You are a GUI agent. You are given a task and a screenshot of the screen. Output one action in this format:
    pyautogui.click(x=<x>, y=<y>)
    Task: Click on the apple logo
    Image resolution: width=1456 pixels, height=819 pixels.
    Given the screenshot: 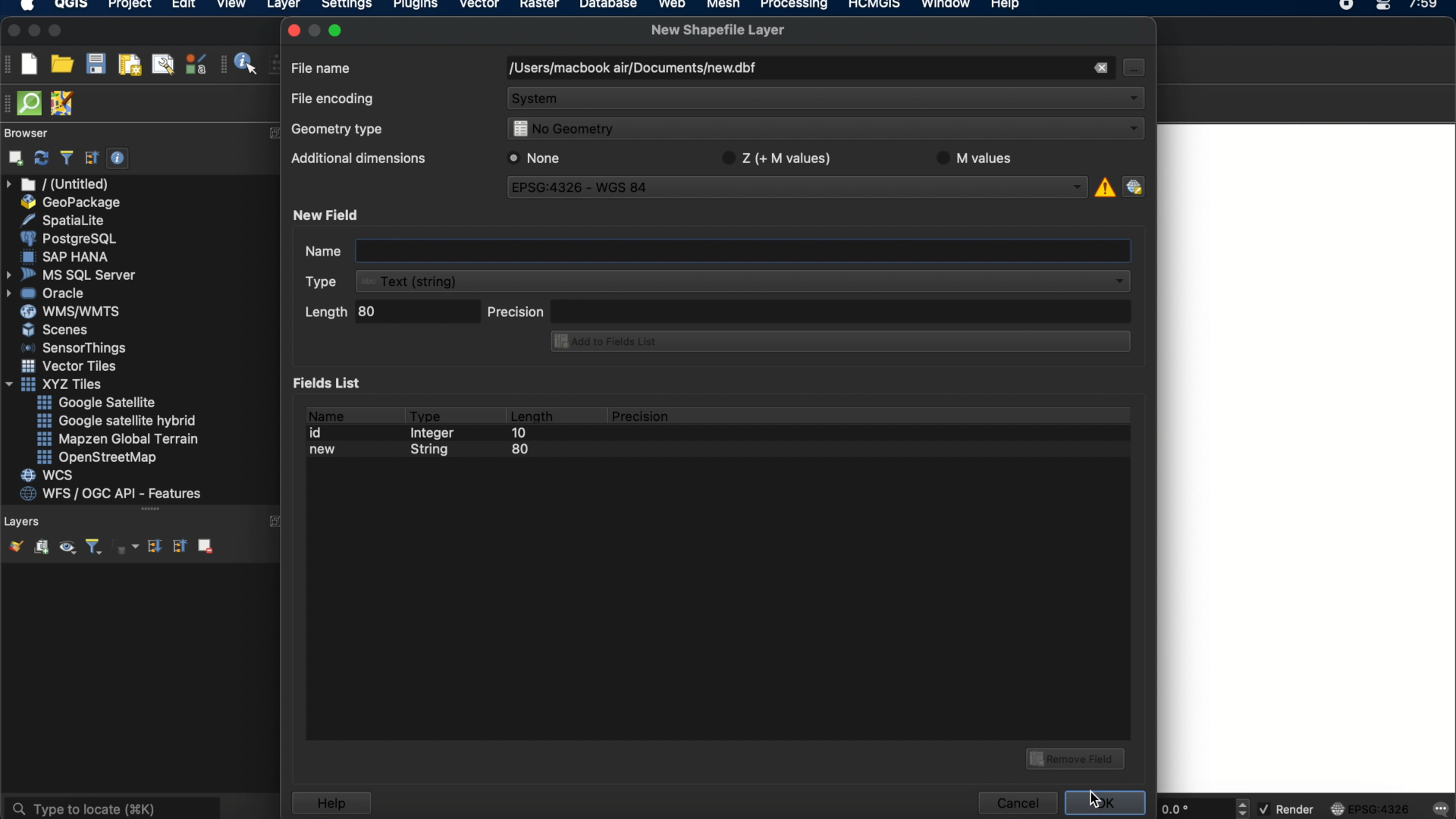 What is the action you would take?
    pyautogui.click(x=25, y=6)
    